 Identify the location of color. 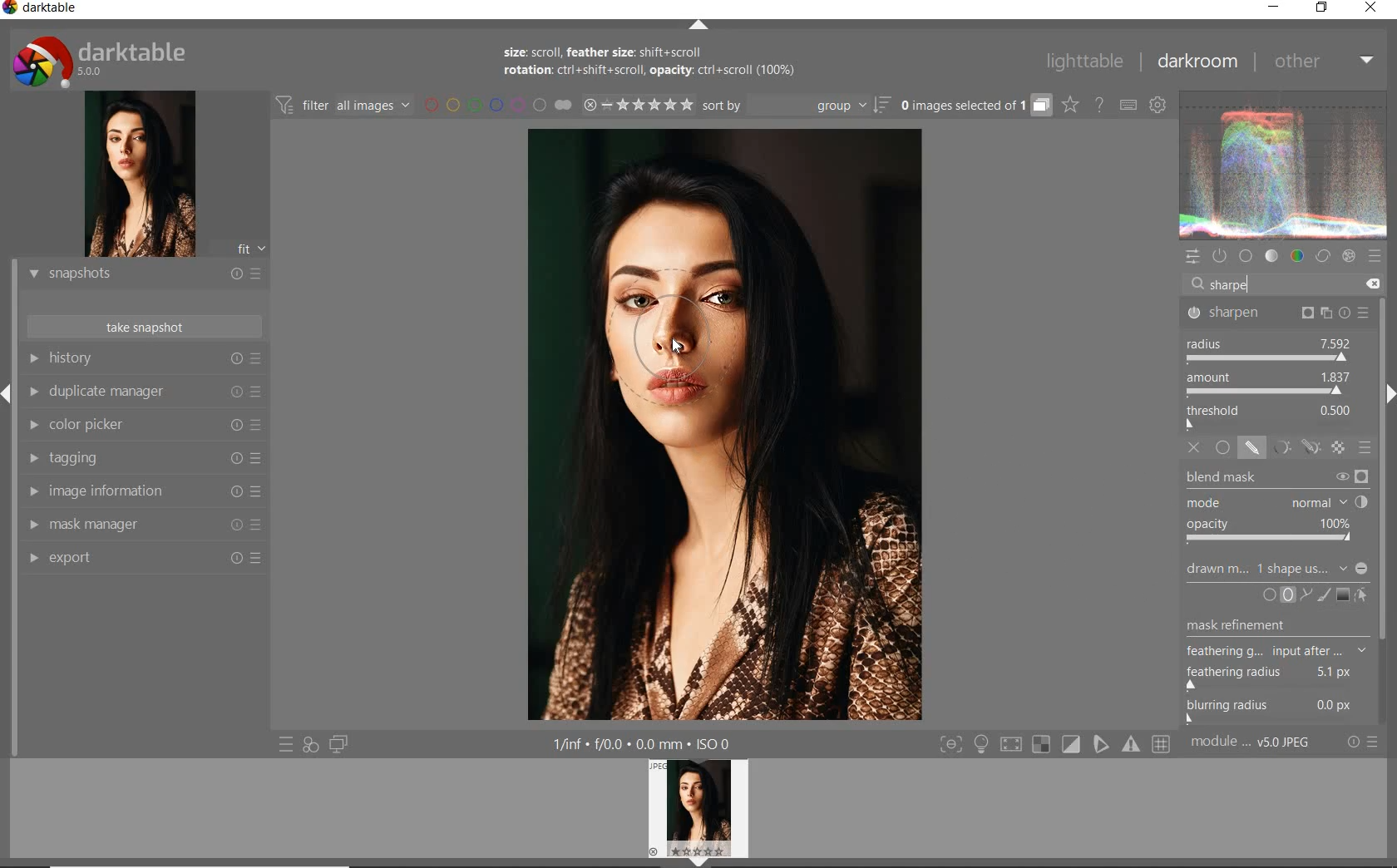
(1296, 257).